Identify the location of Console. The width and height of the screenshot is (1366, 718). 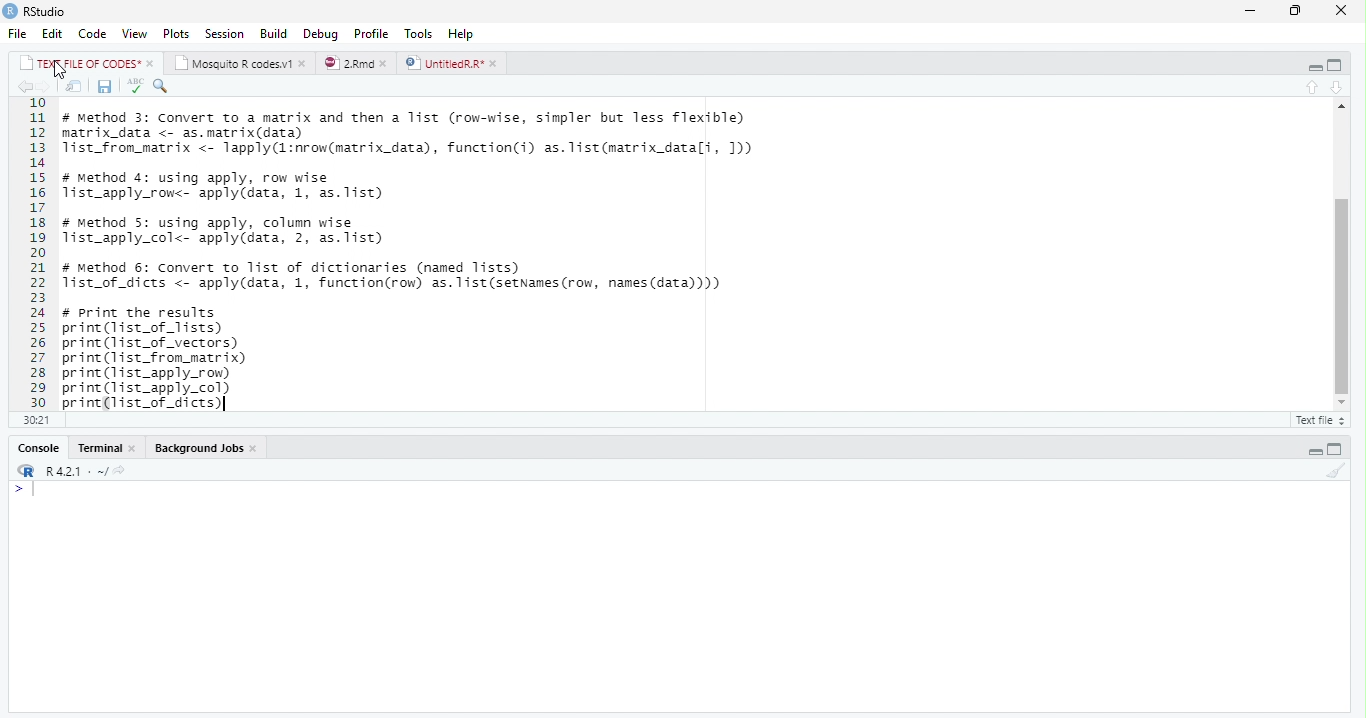
(678, 596).